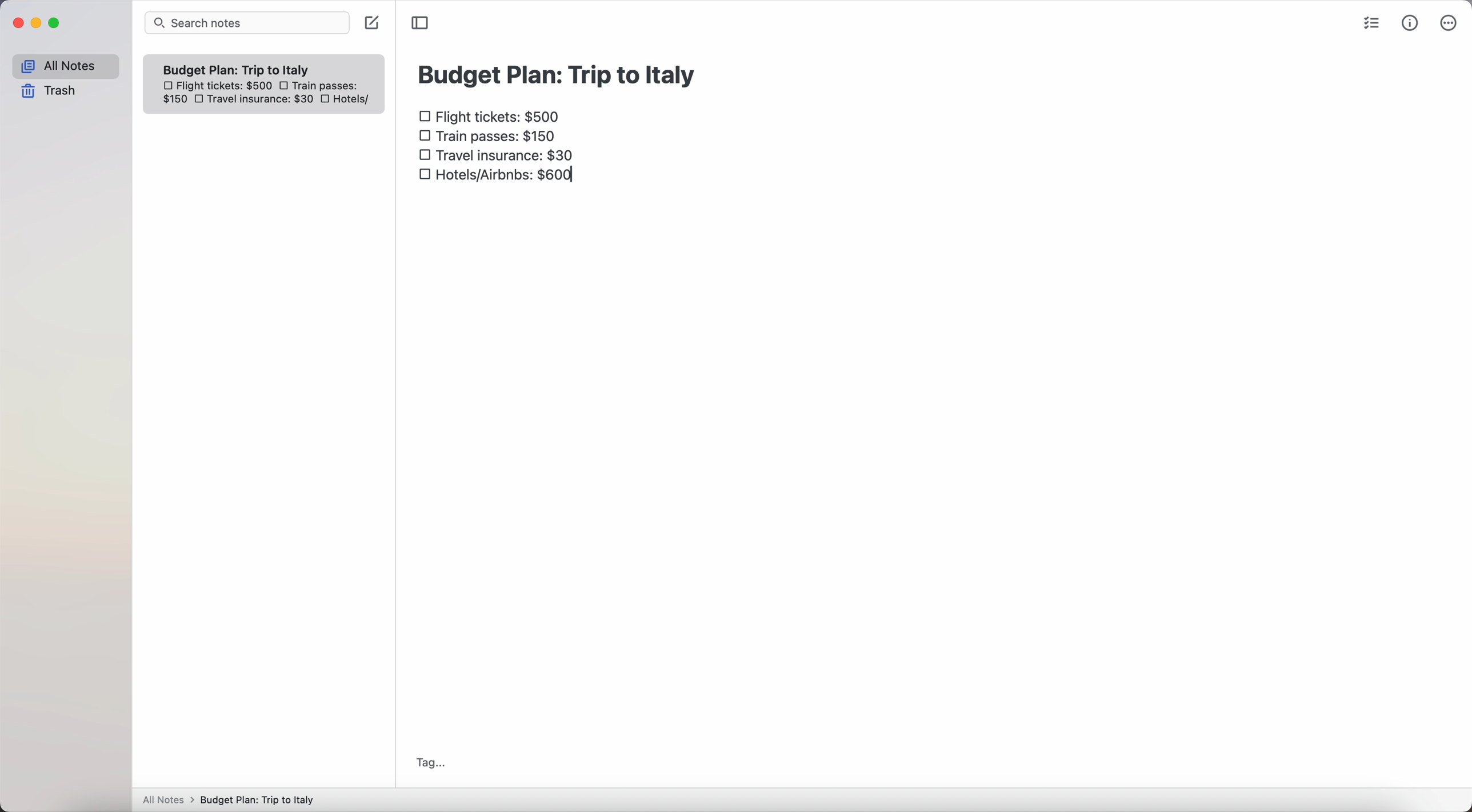  What do you see at coordinates (422, 175) in the screenshot?
I see `checkbox` at bounding box center [422, 175].